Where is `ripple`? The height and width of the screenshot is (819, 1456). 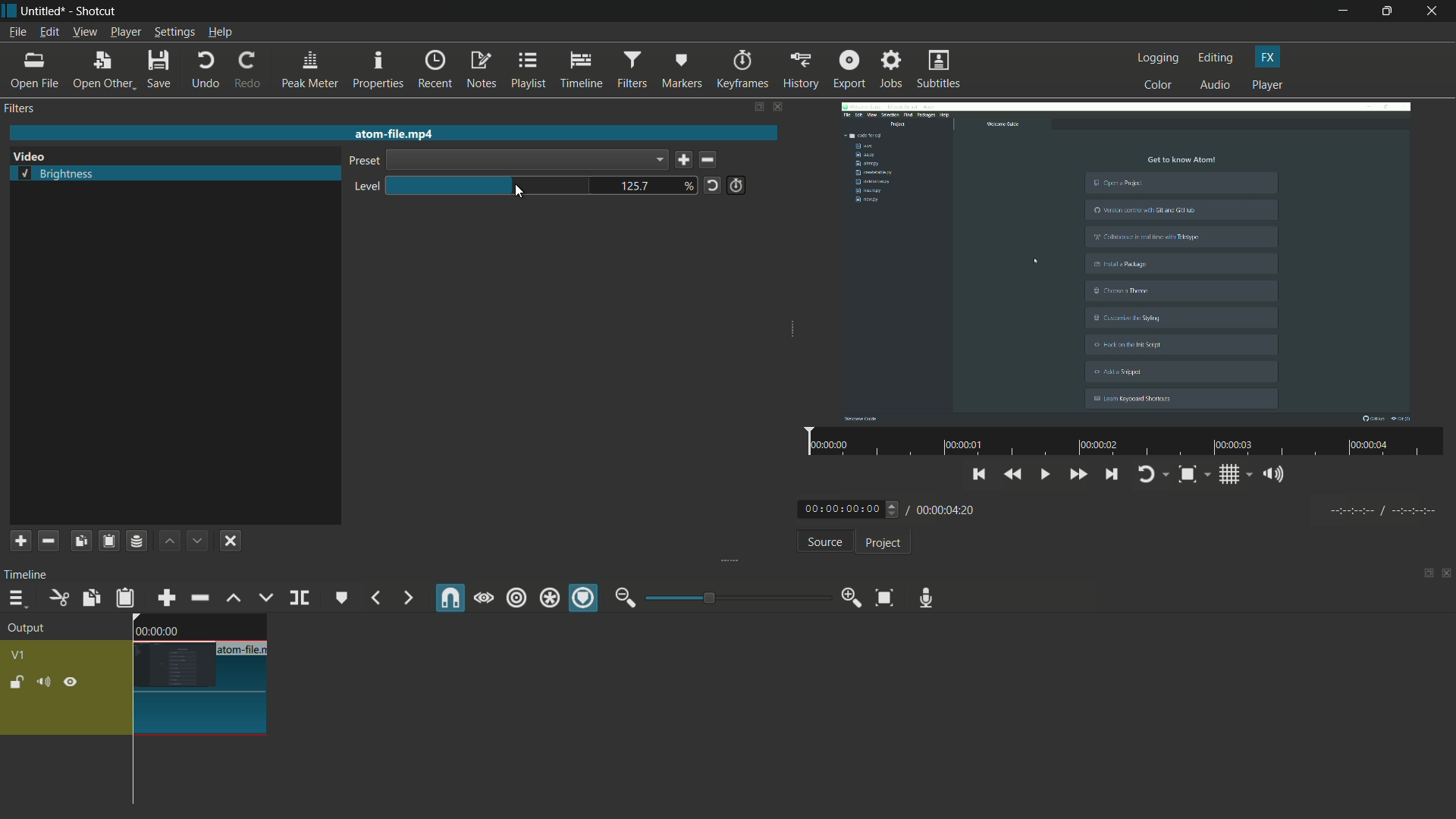
ripple is located at coordinates (516, 598).